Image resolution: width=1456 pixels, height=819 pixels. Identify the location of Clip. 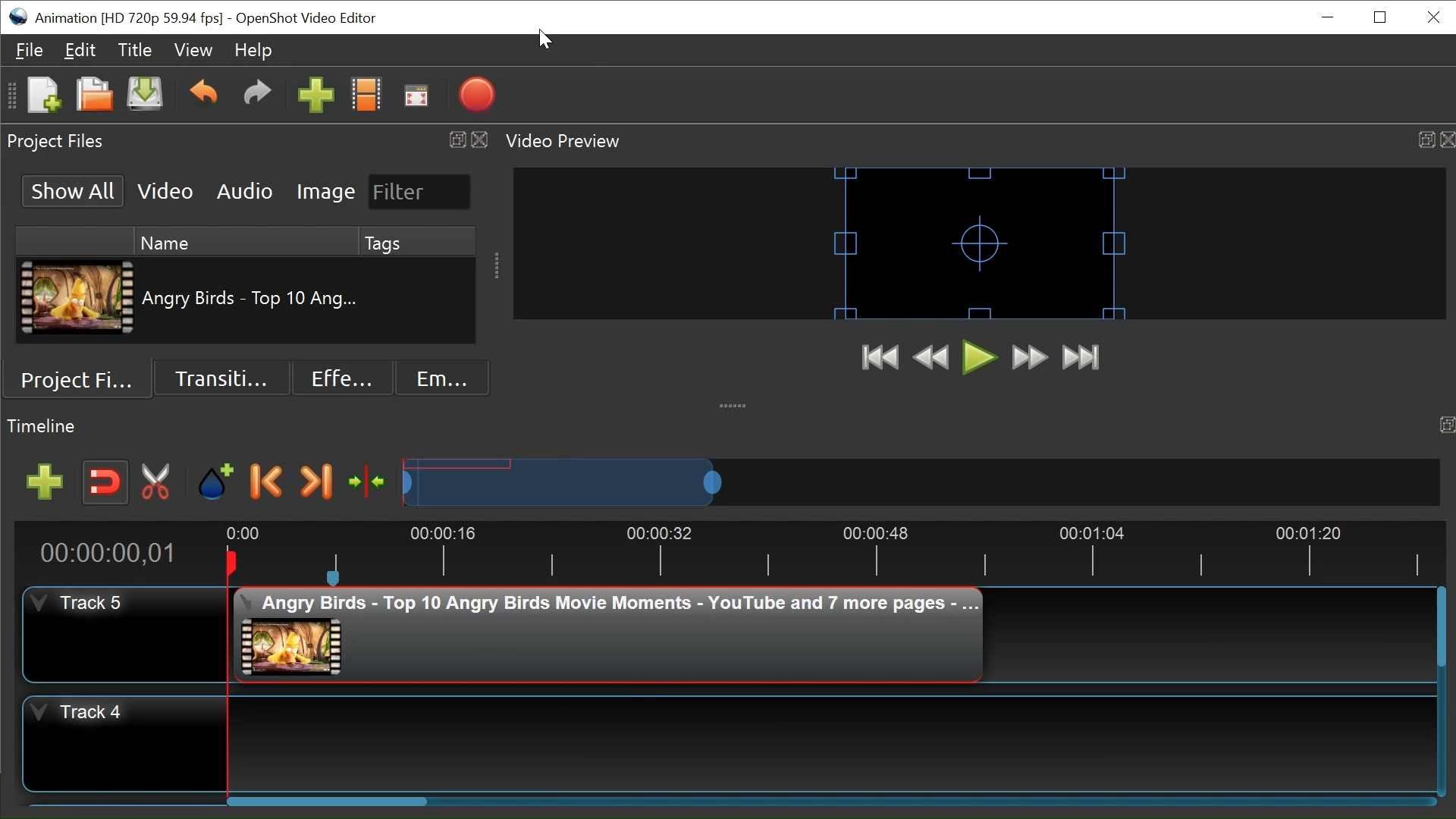
(608, 634).